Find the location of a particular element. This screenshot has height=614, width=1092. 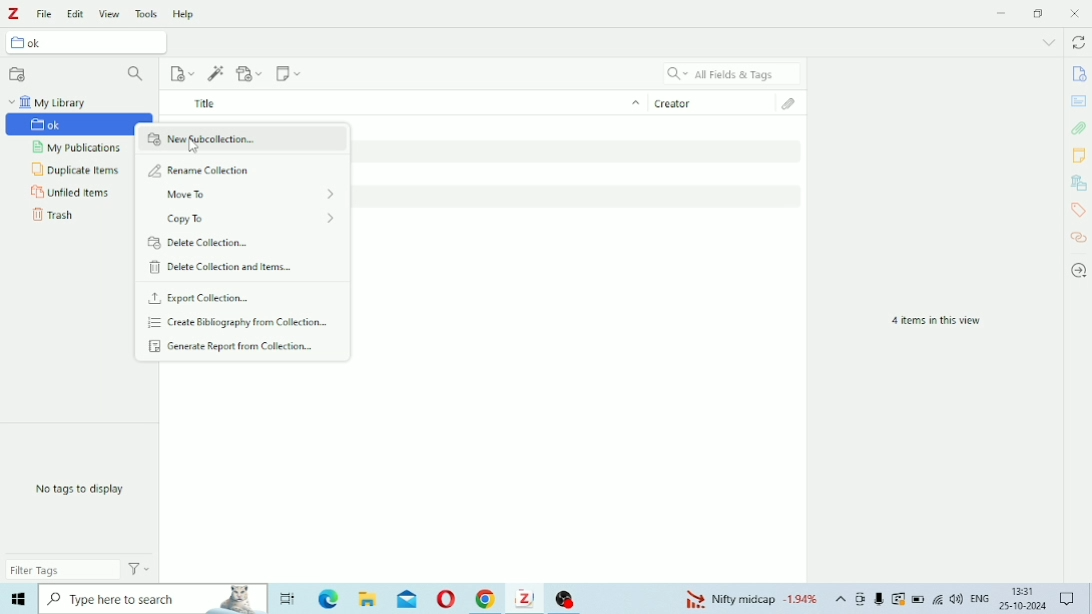

Title is located at coordinates (403, 102).